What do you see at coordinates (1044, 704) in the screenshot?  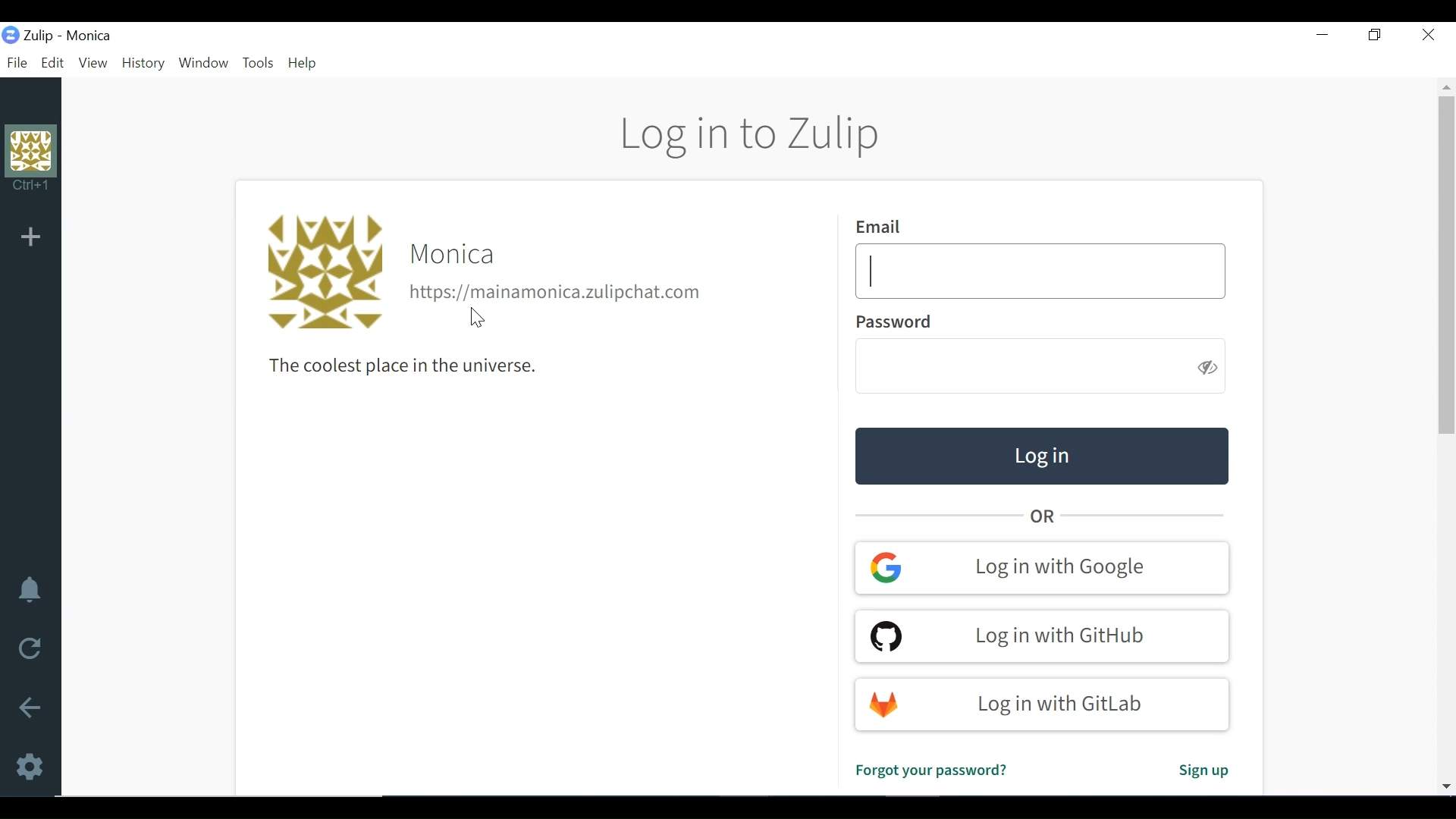 I see `Log in with Gitlab` at bounding box center [1044, 704].